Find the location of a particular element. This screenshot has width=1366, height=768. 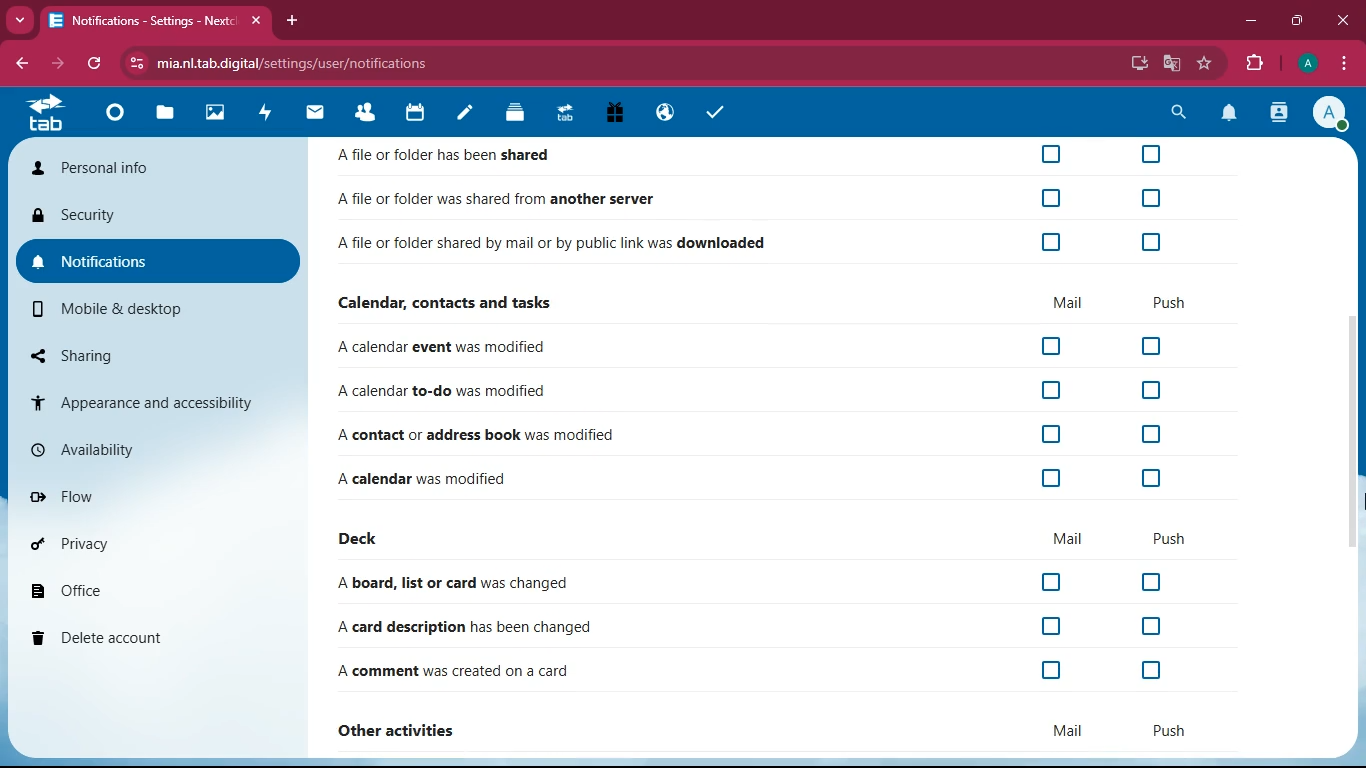

activity is located at coordinates (1280, 114).